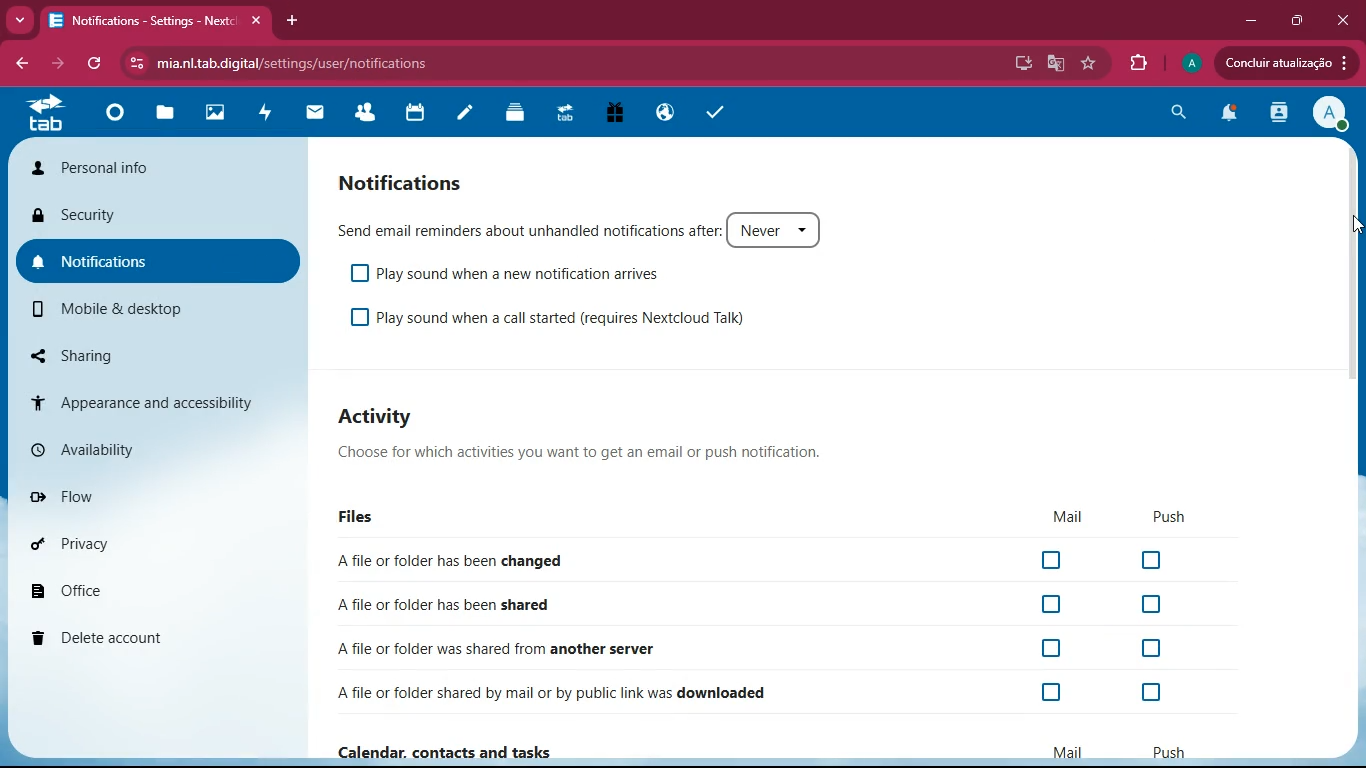 Image resolution: width=1366 pixels, height=768 pixels. Describe the element at coordinates (1175, 112) in the screenshot. I see `search` at that location.